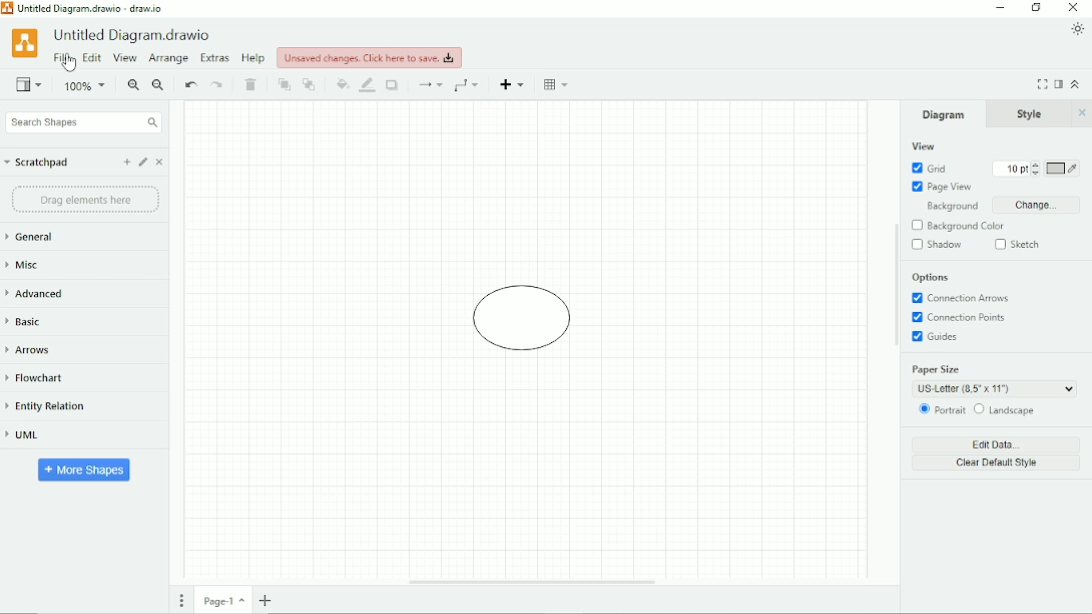  What do you see at coordinates (952, 206) in the screenshot?
I see `Background` at bounding box center [952, 206].